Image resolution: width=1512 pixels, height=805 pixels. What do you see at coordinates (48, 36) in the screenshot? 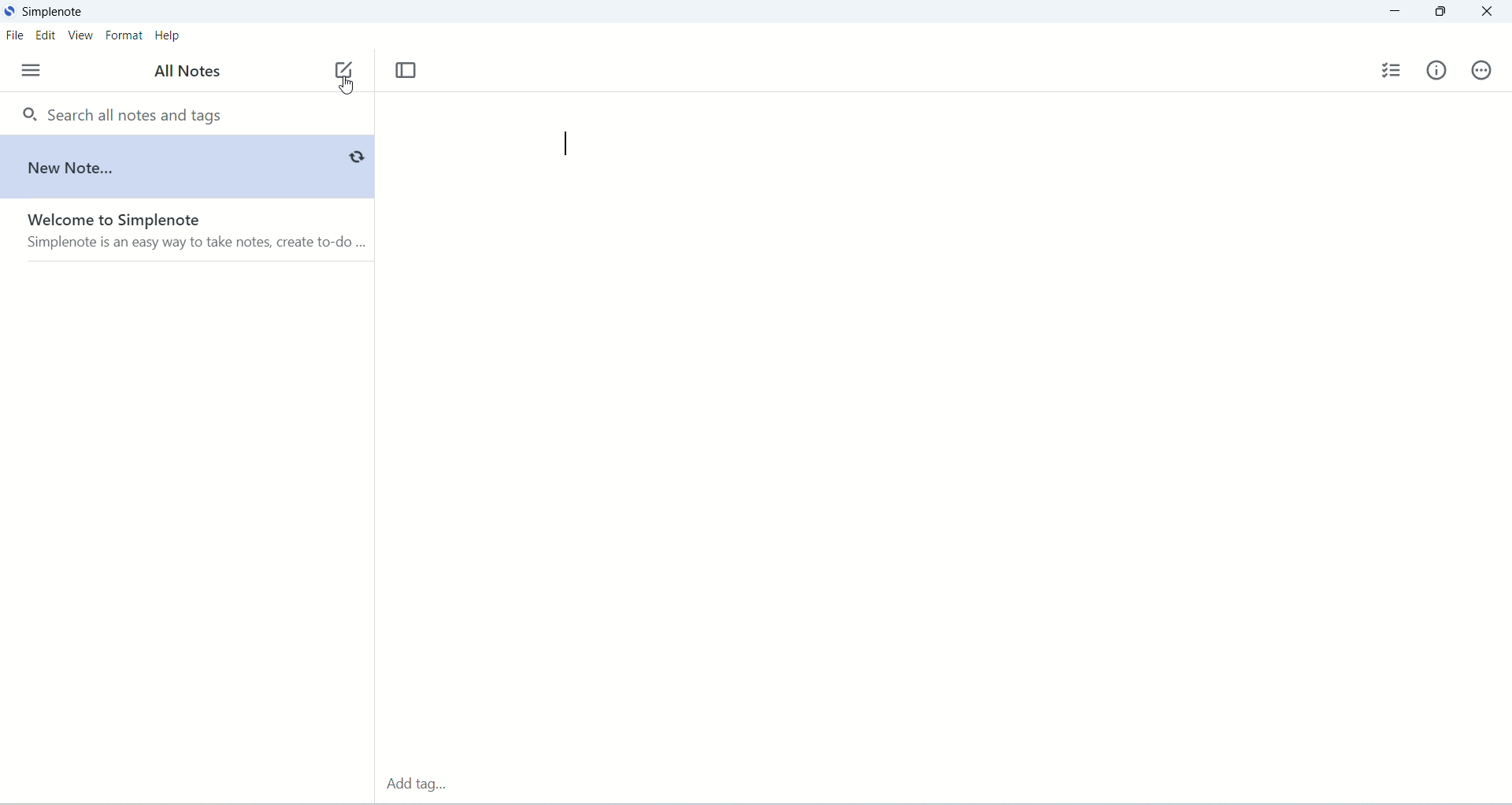
I see `edit` at bounding box center [48, 36].